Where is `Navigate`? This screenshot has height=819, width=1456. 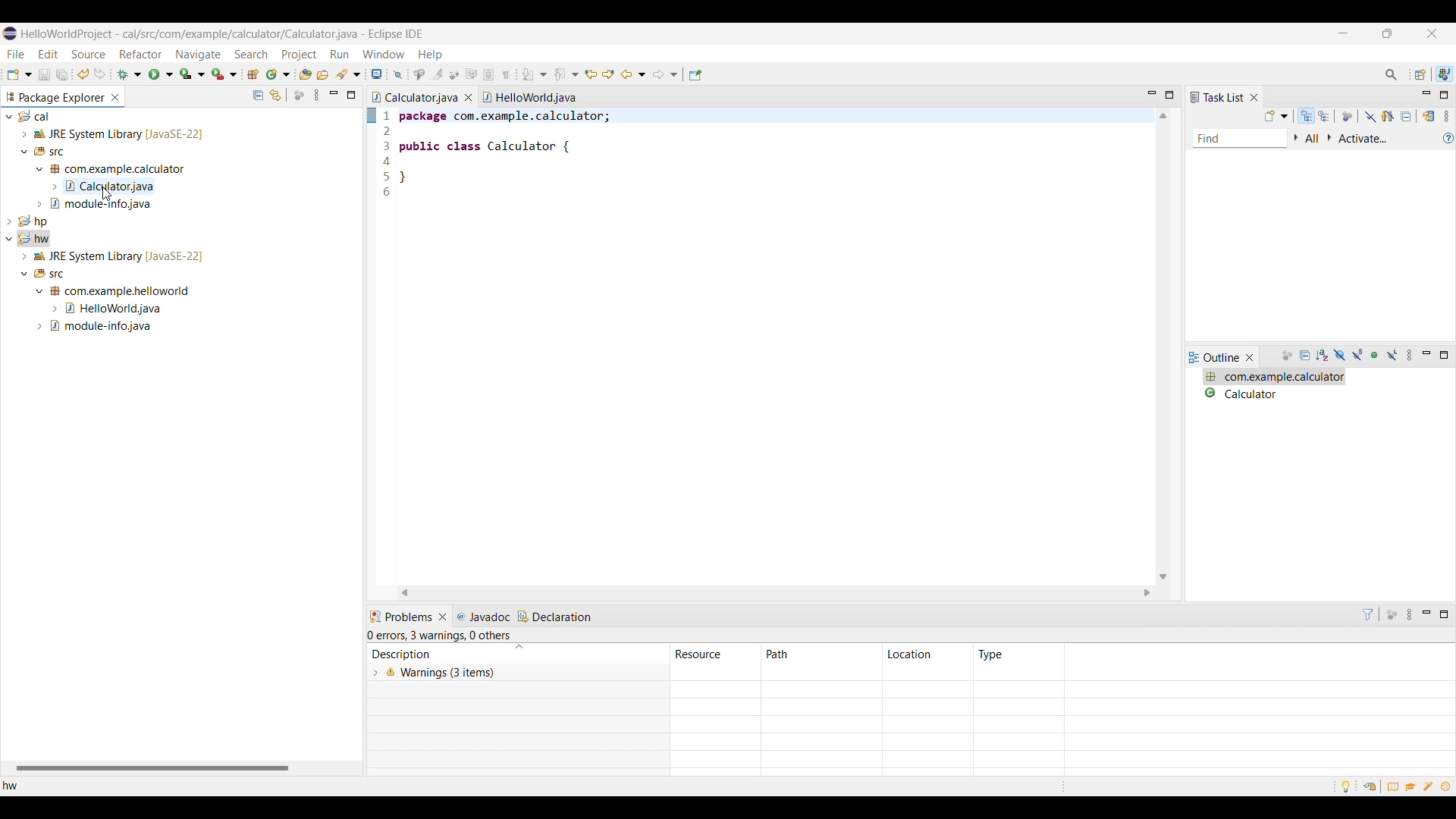 Navigate is located at coordinates (199, 55).